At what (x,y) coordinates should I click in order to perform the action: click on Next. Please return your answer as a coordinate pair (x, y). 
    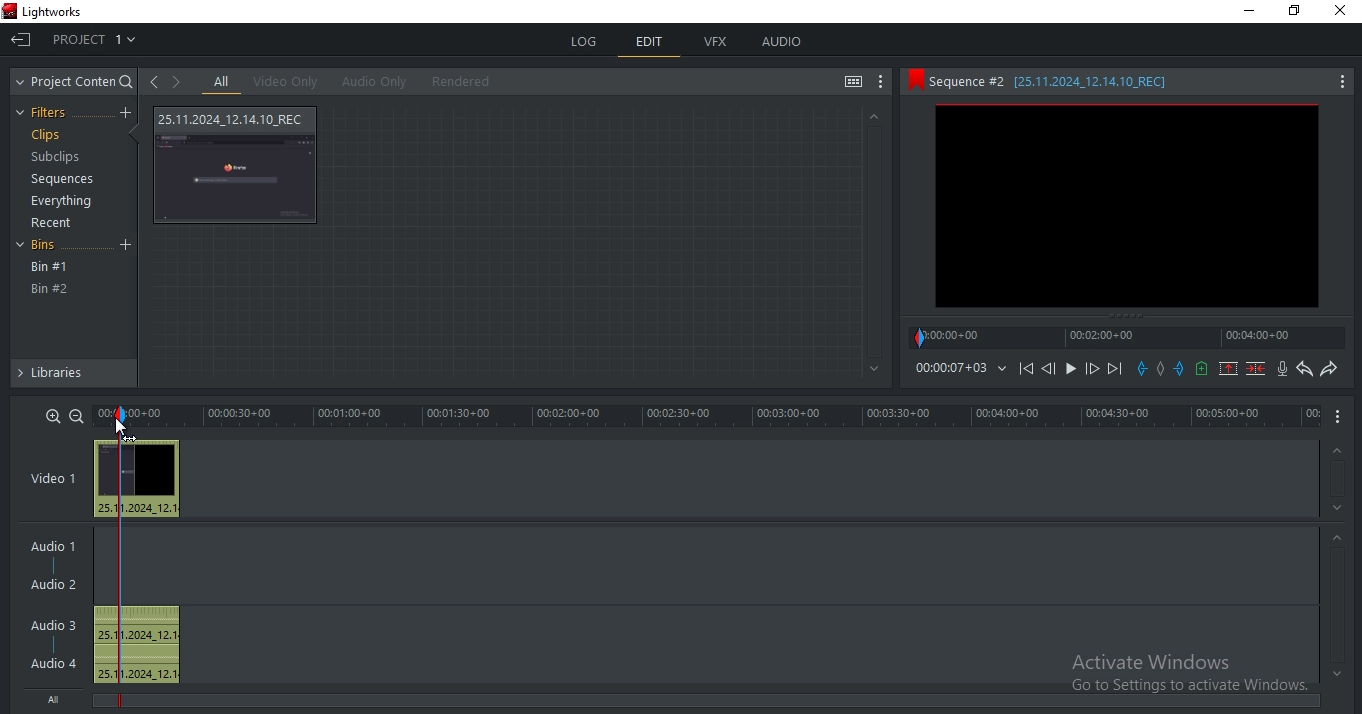
    Looking at the image, I should click on (1117, 368).